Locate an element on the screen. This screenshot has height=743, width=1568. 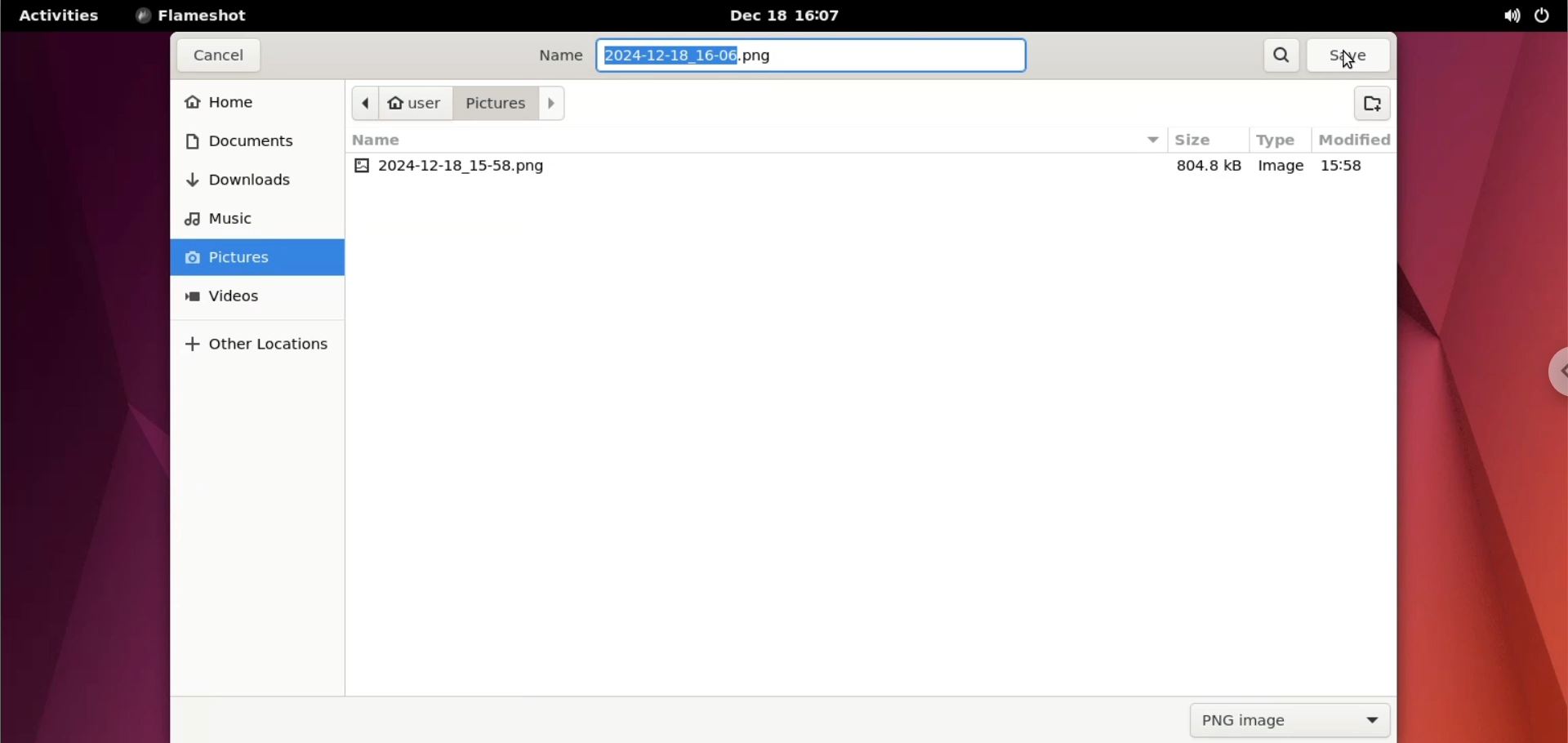
music  is located at coordinates (249, 219).